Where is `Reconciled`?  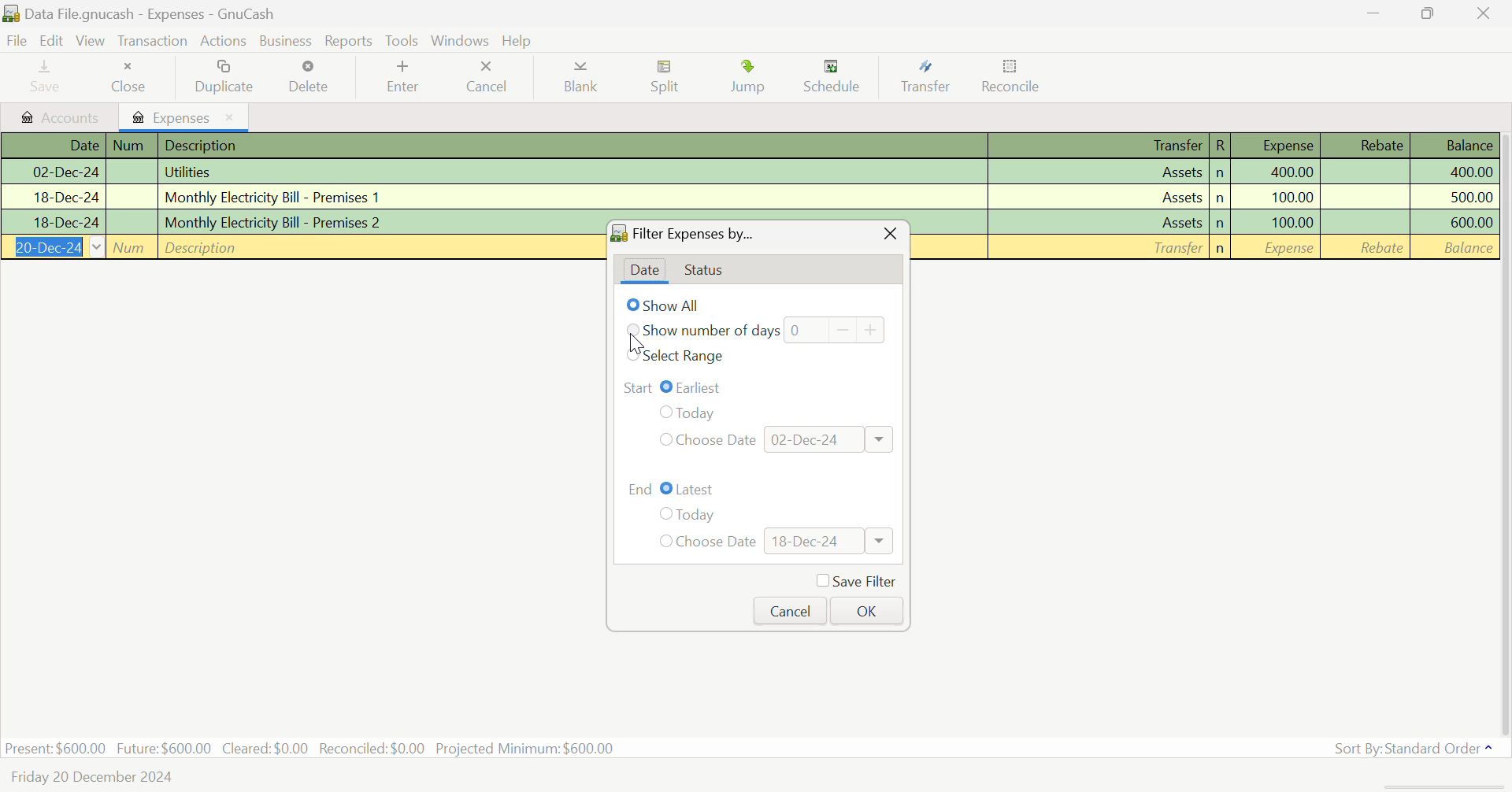 Reconciled is located at coordinates (372, 749).